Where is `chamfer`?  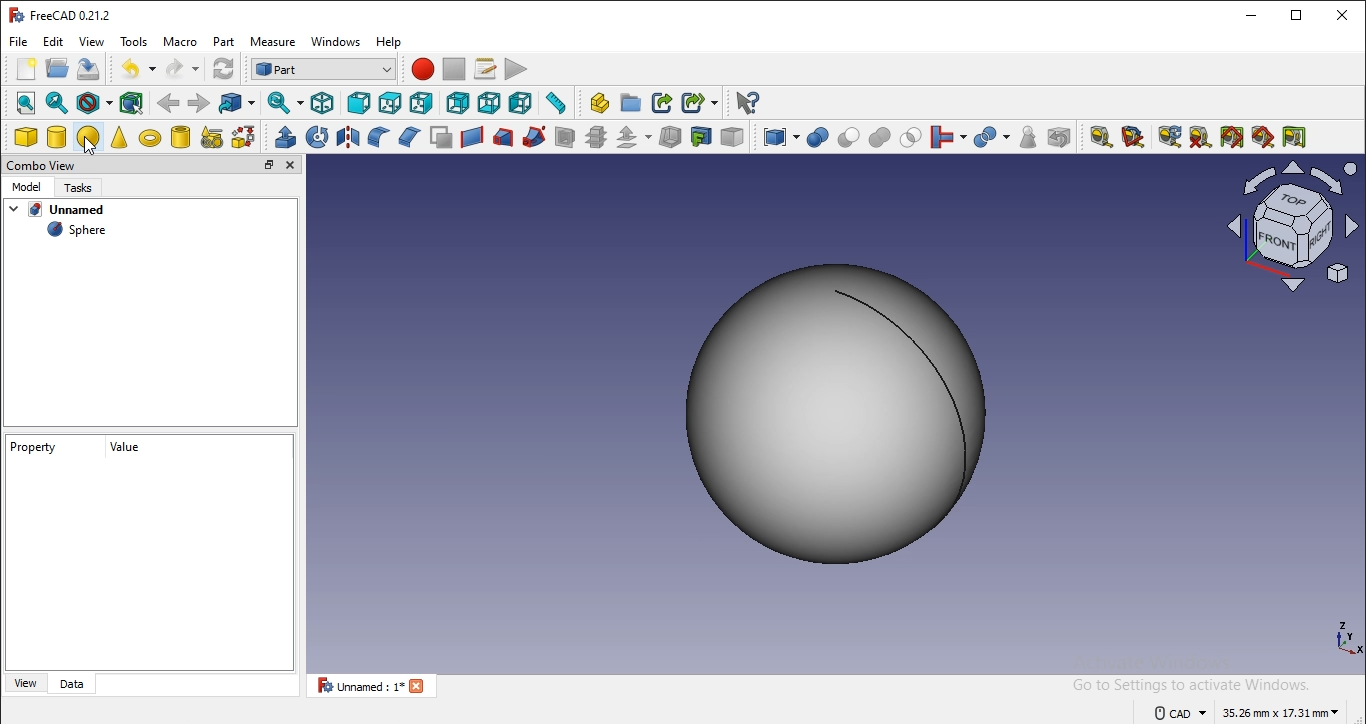
chamfer is located at coordinates (409, 138).